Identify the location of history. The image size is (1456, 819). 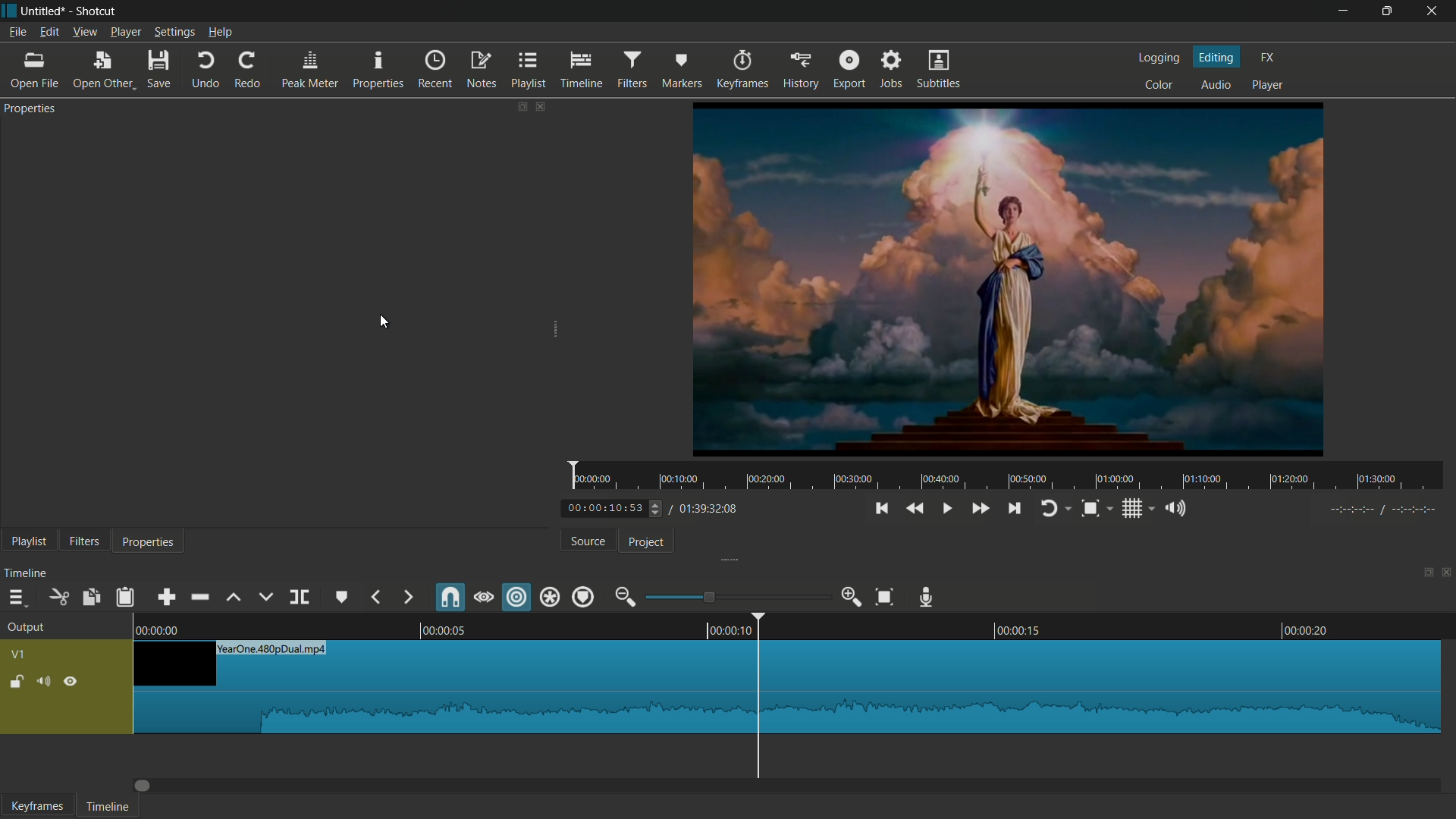
(801, 70).